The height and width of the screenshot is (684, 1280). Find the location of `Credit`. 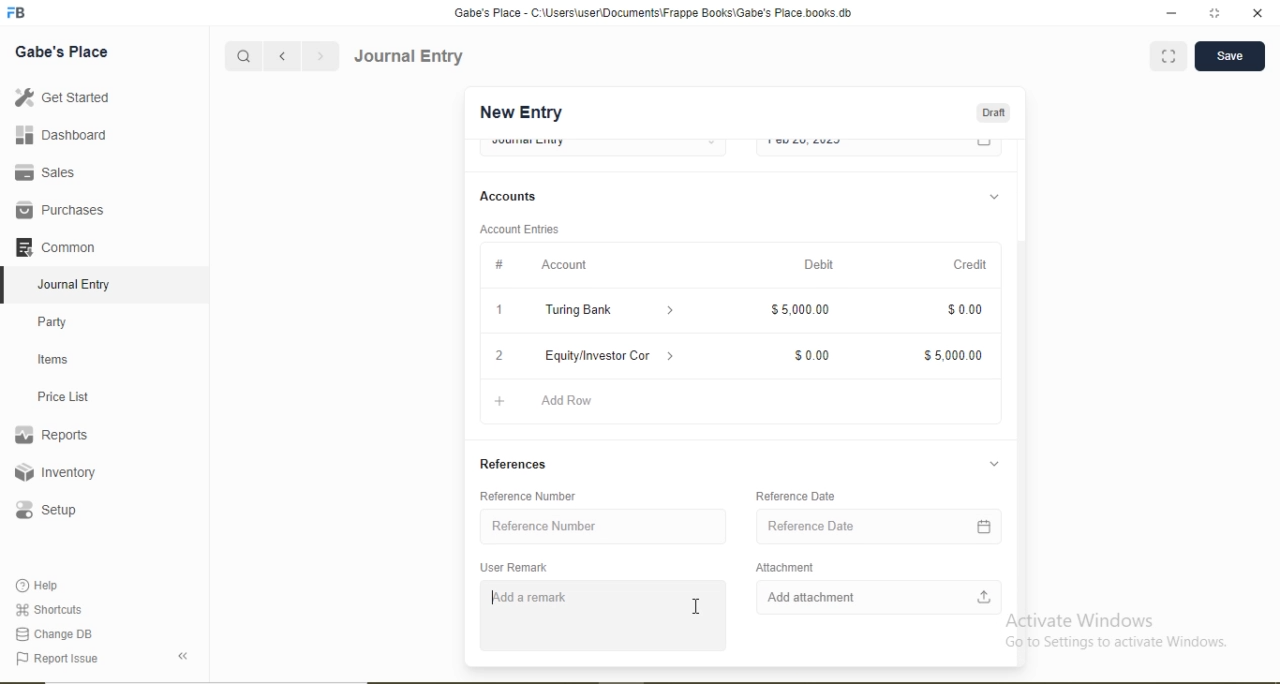

Credit is located at coordinates (971, 266).